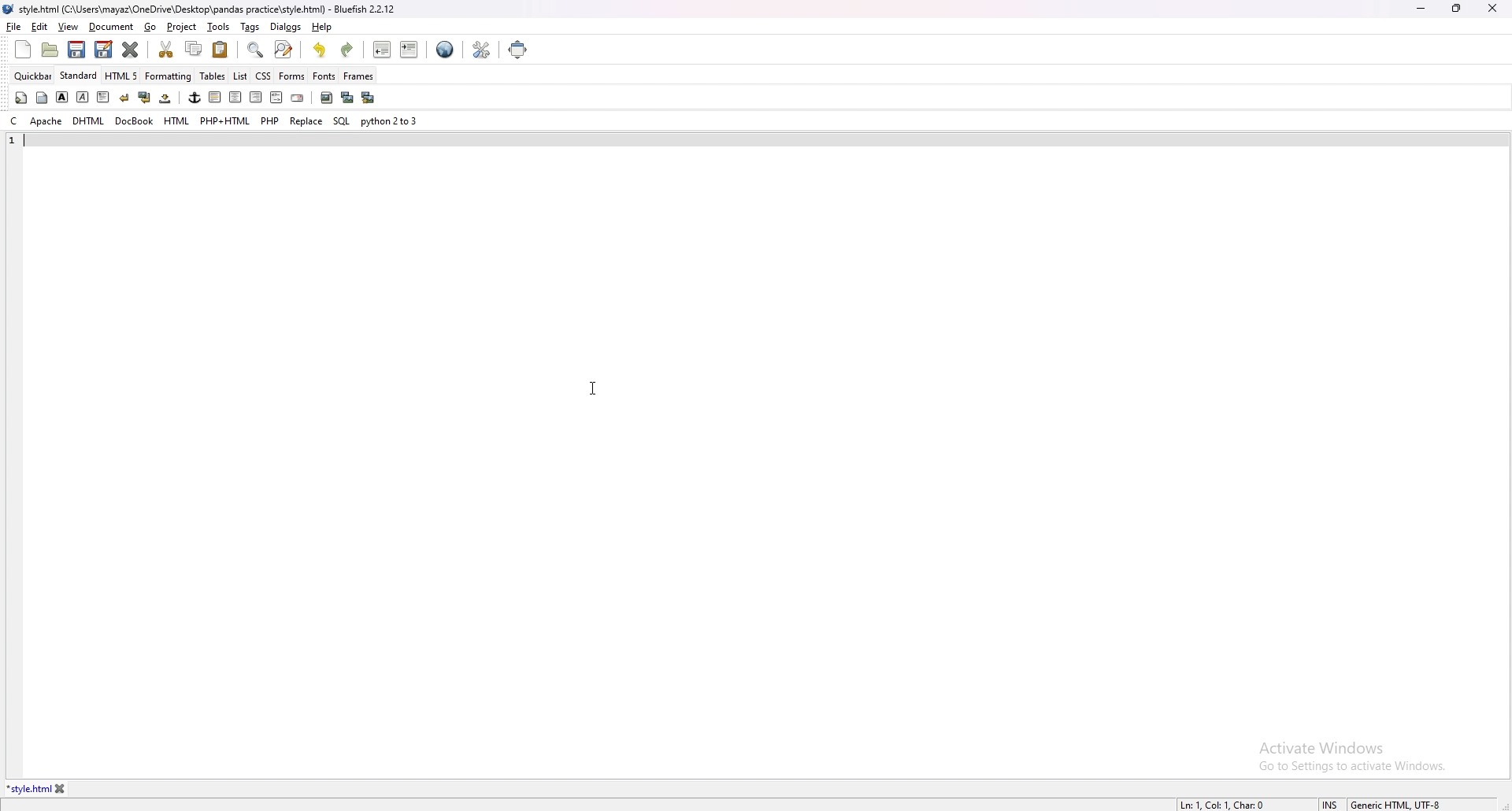  What do you see at coordinates (213, 76) in the screenshot?
I see `tables` at bounding box center [213, 76].